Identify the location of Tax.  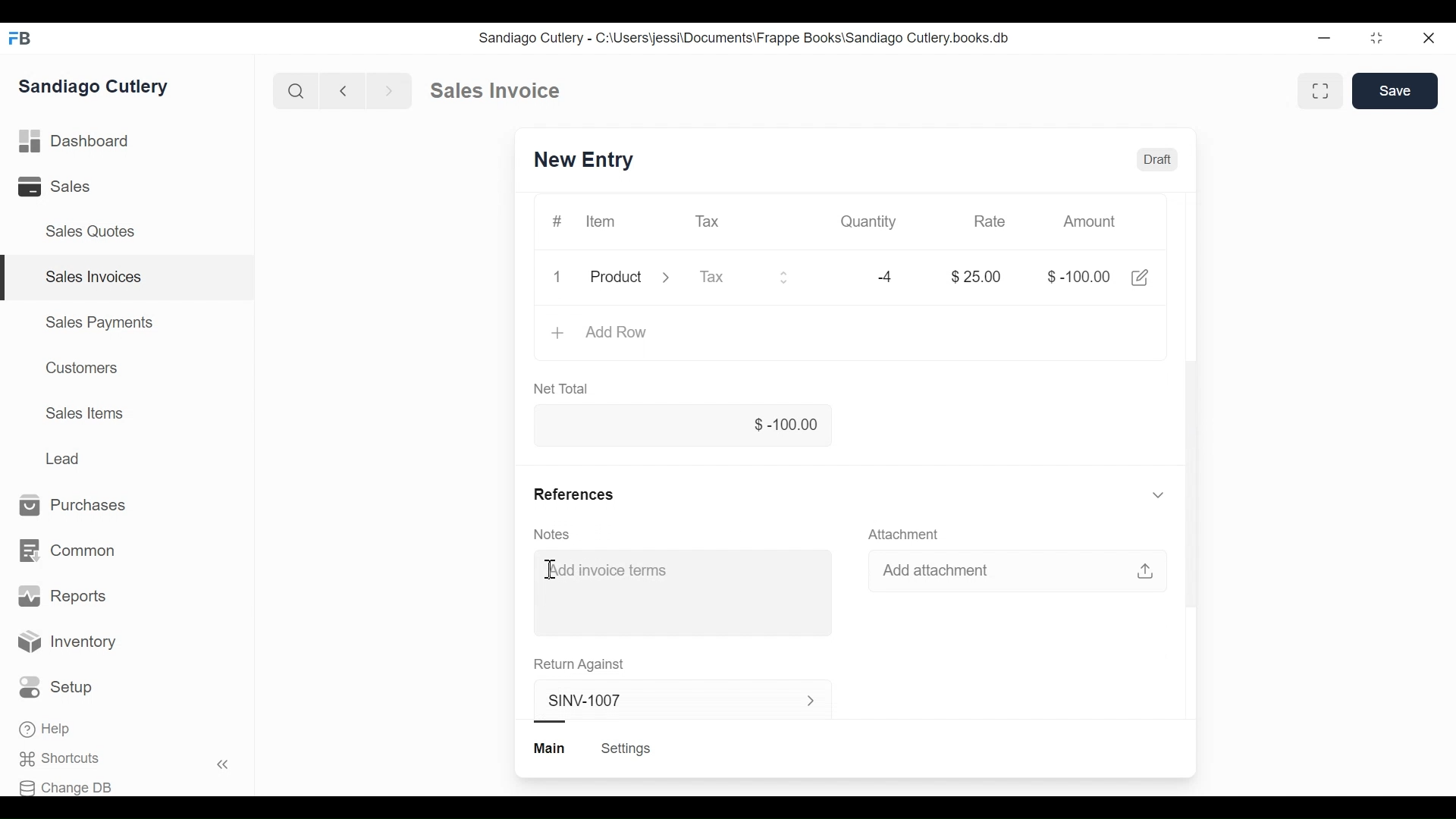
(743, 276).